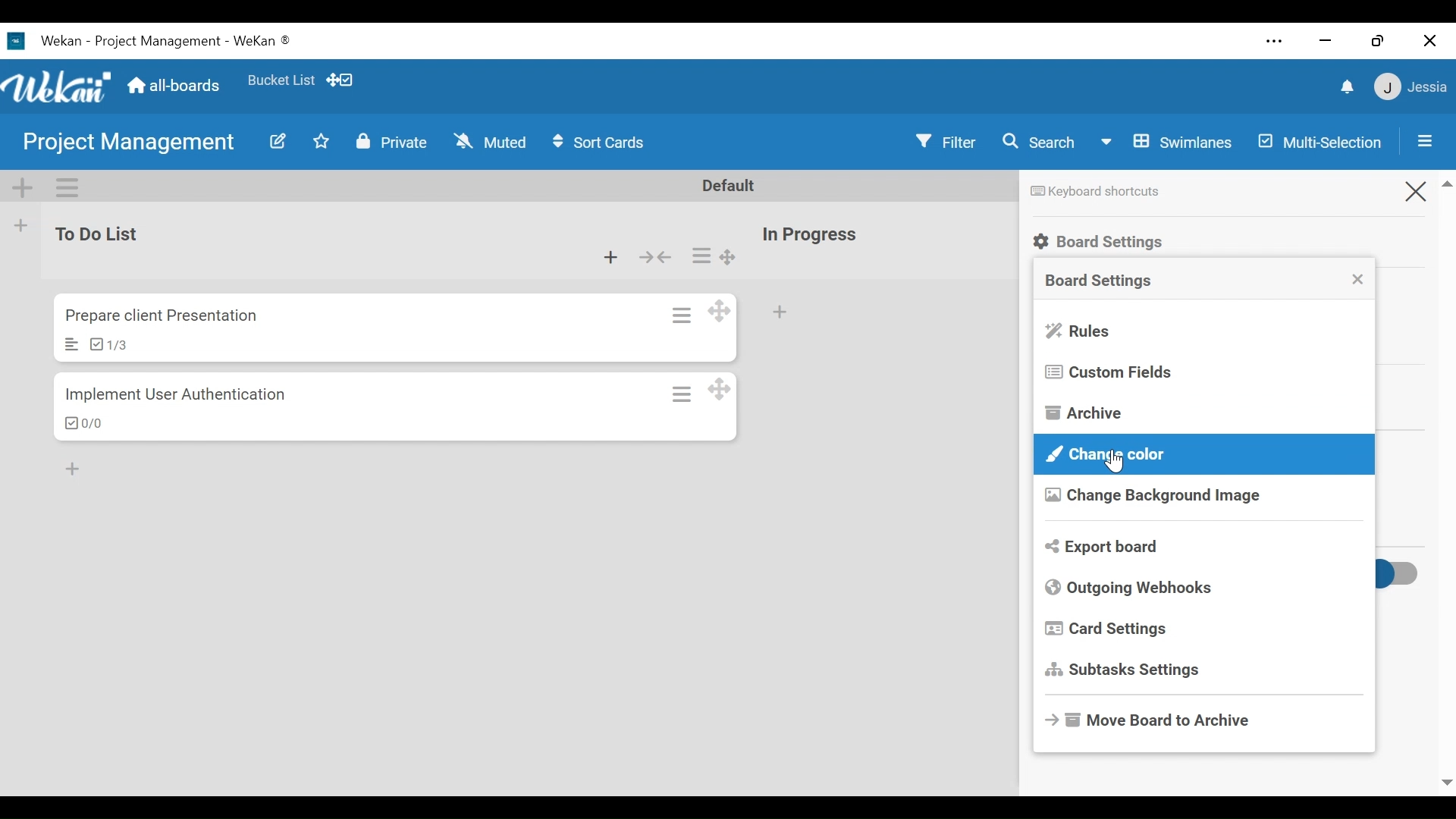 The height and width of the screenshot is (819, 1456). I want to click on Card Title, so click(161, 316).